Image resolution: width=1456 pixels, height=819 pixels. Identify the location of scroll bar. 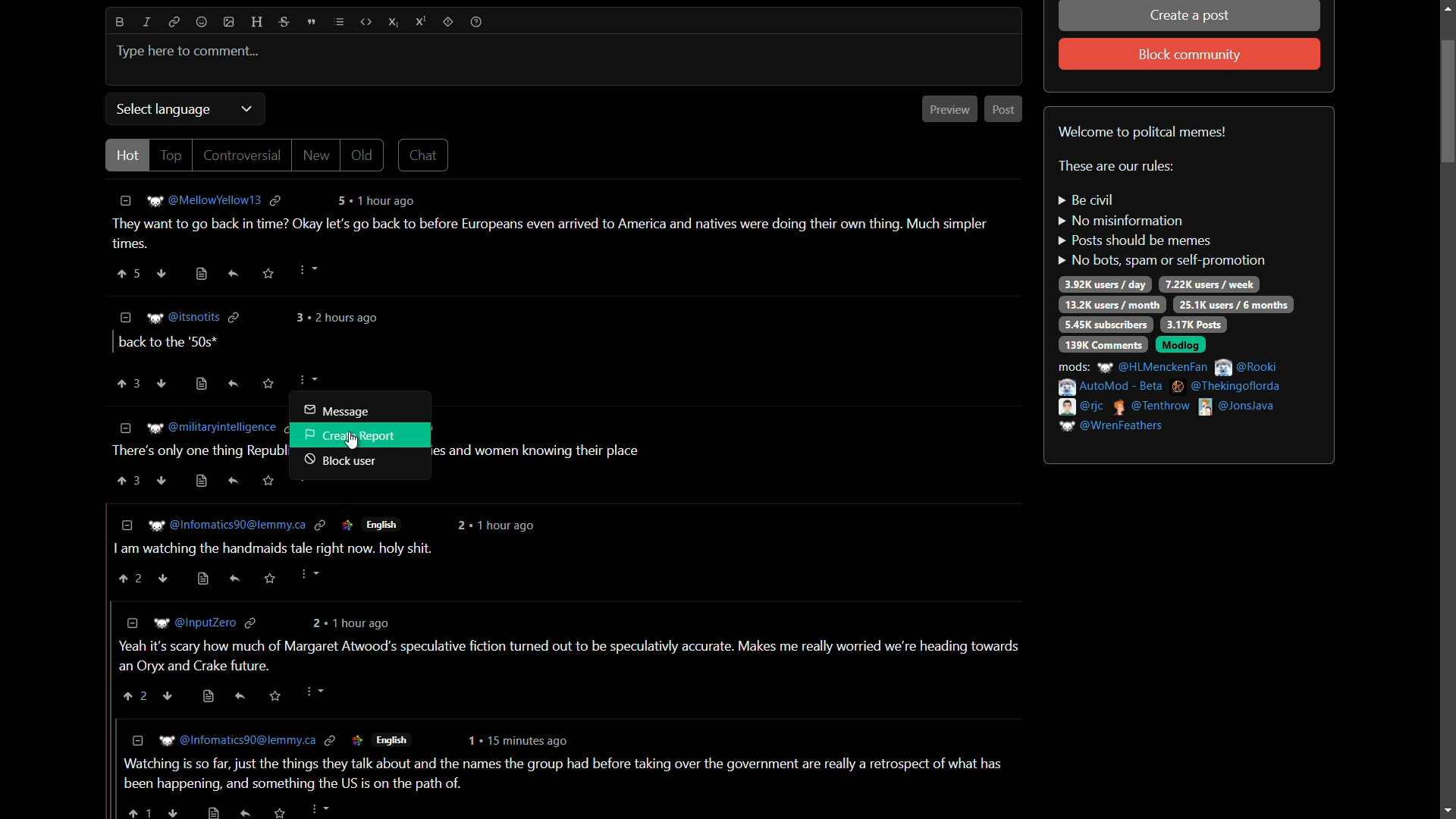
(1448, 411).